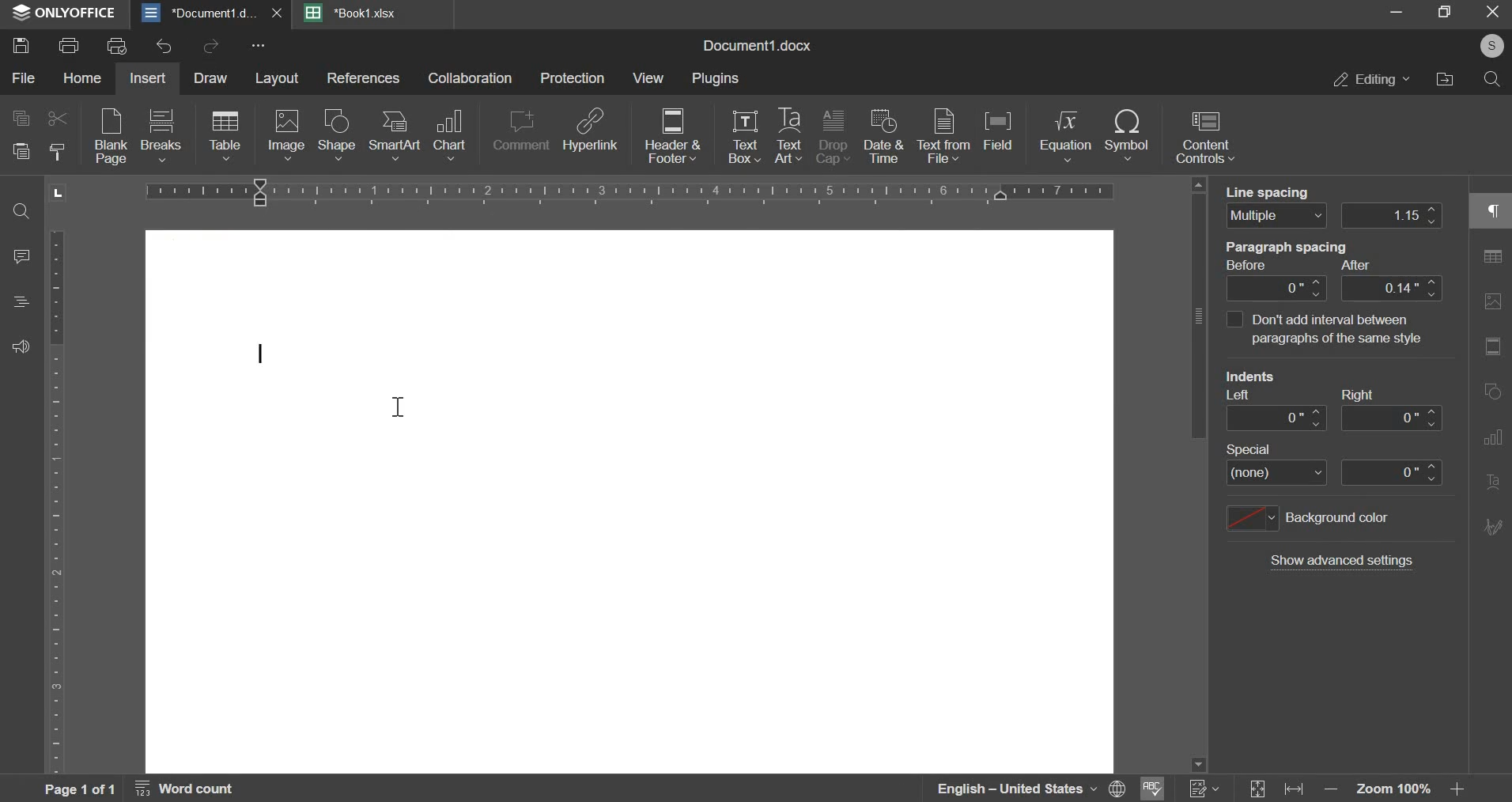 Image resolution: width=1512 pixels, height=802 pixels. Describe the element at coordinates (1491, 301) in the screenshot. I see `Shape tool` at that location.